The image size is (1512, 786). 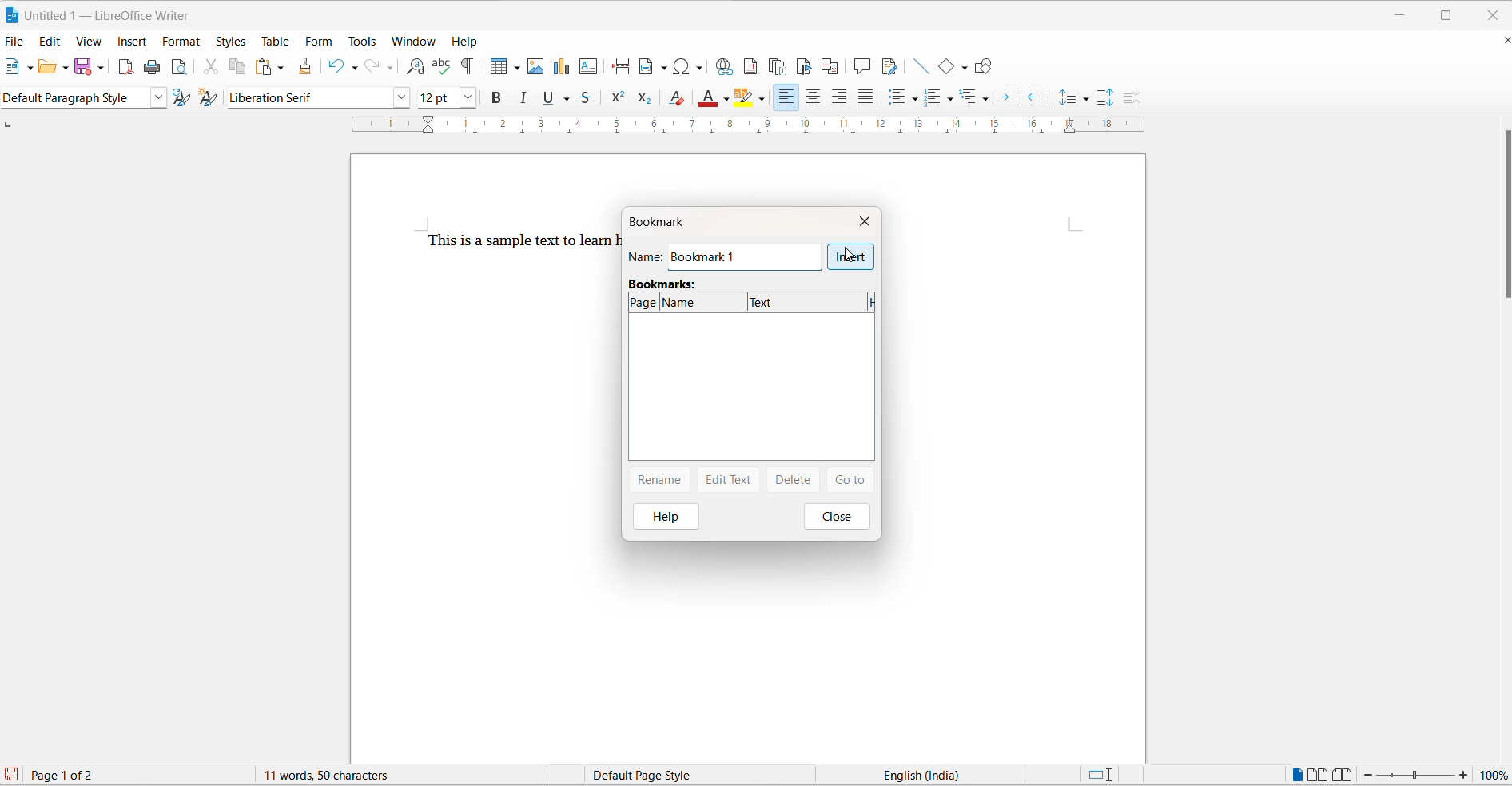 What do you see at coordinates (971, 97) in the screenshot?
I see `outline format` at bounding box center [971, 97].